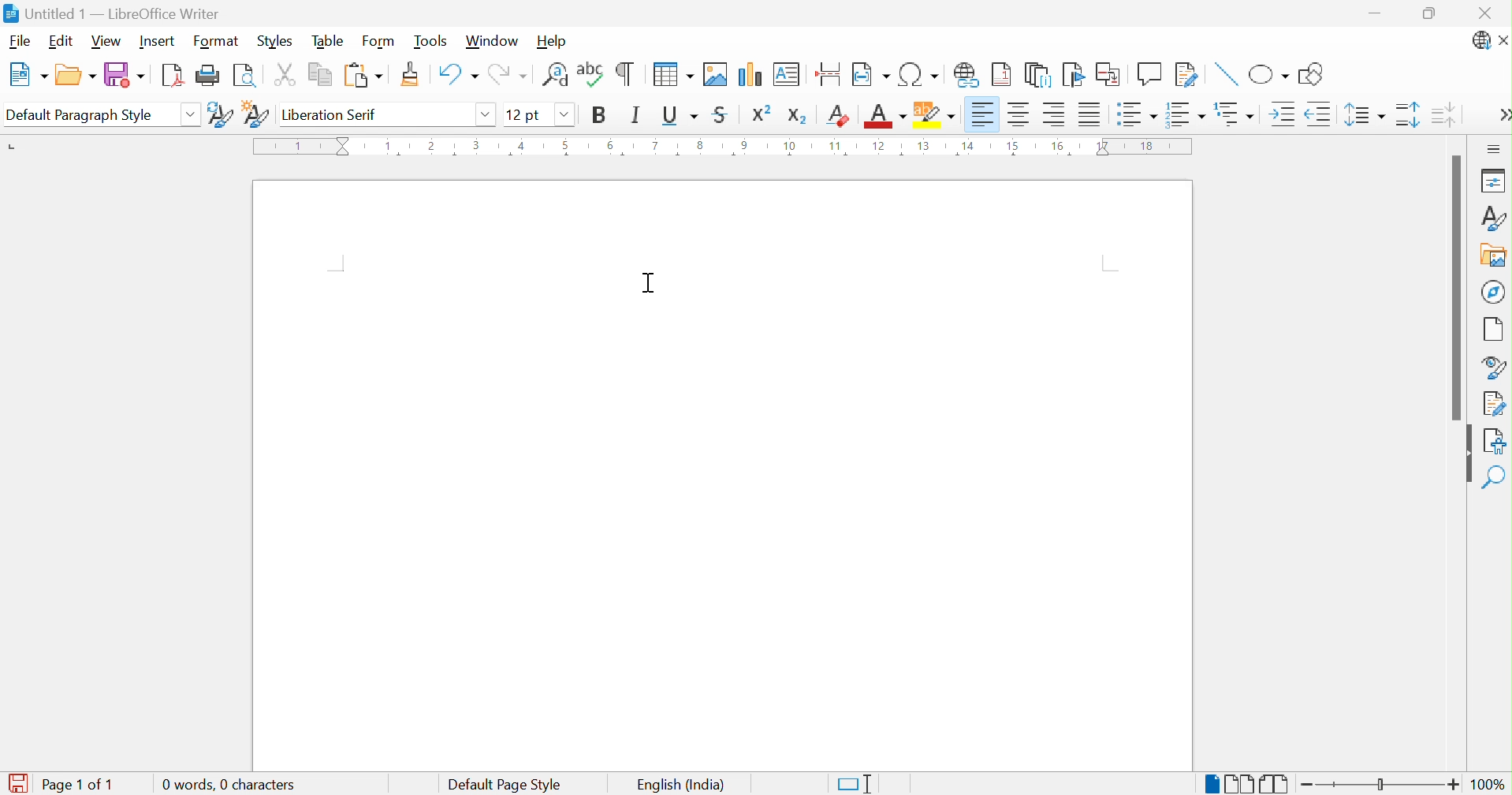 This screenshot has height=795, width=1512. Describe the element at coordinates (1187, 76) in the screenshot. I see `Show track changes functions` at that location.